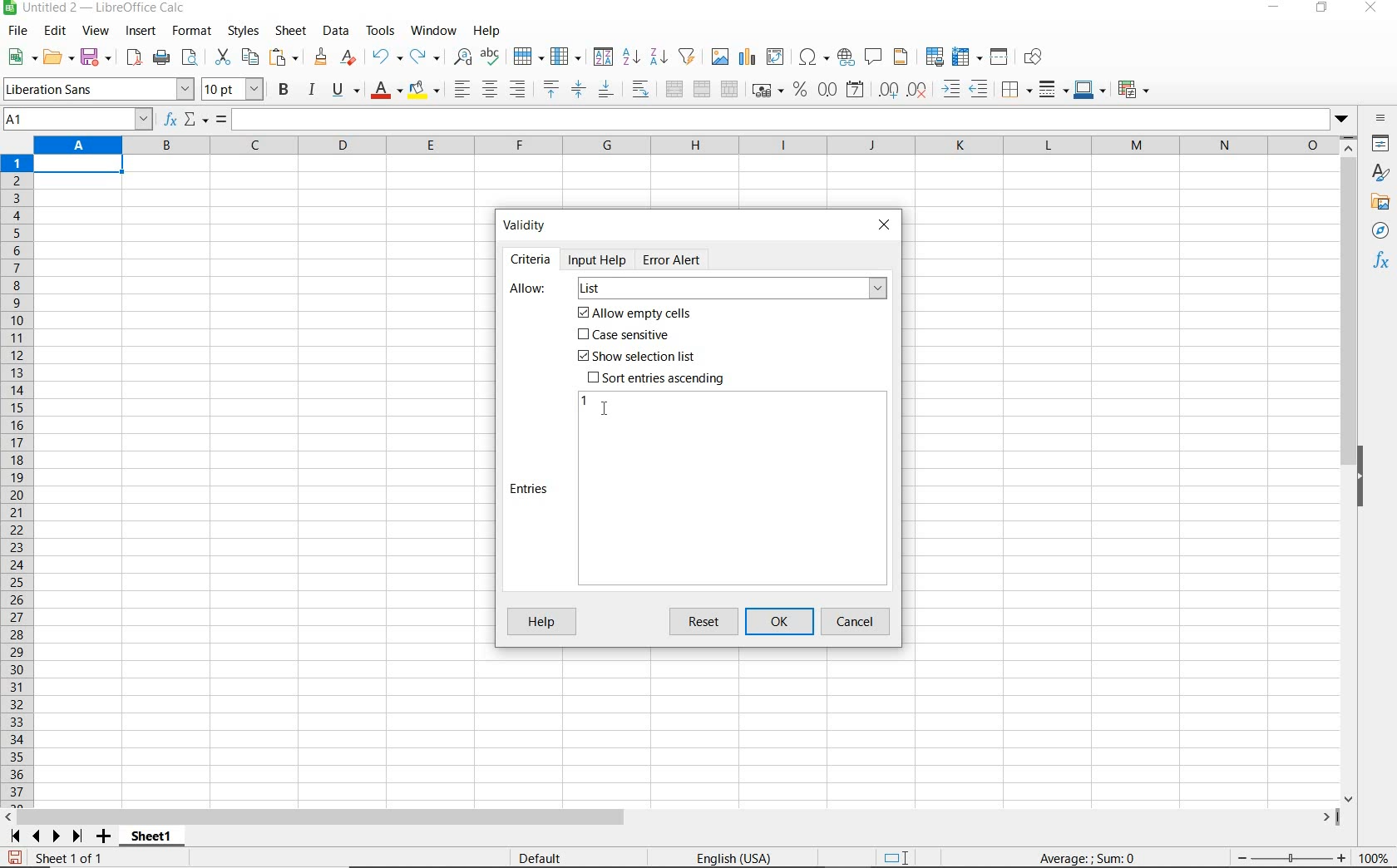  What do you see at coordinates (1362, 479) in the screenshot?
I see `hide` at bounding box center [1362, 479].